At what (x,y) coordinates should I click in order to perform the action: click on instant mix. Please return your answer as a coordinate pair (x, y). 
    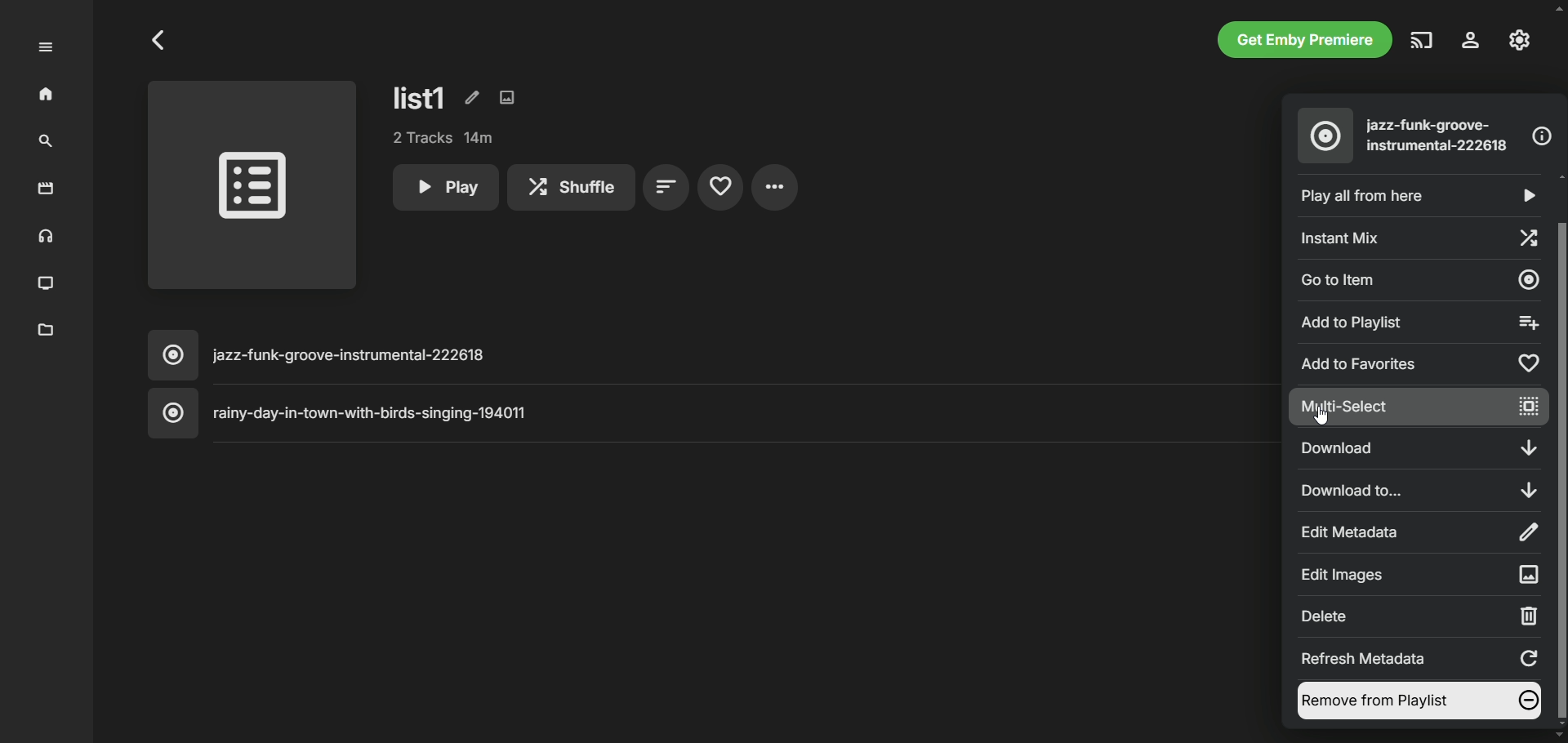
    Looking at the image, I should click on (1417, 236).